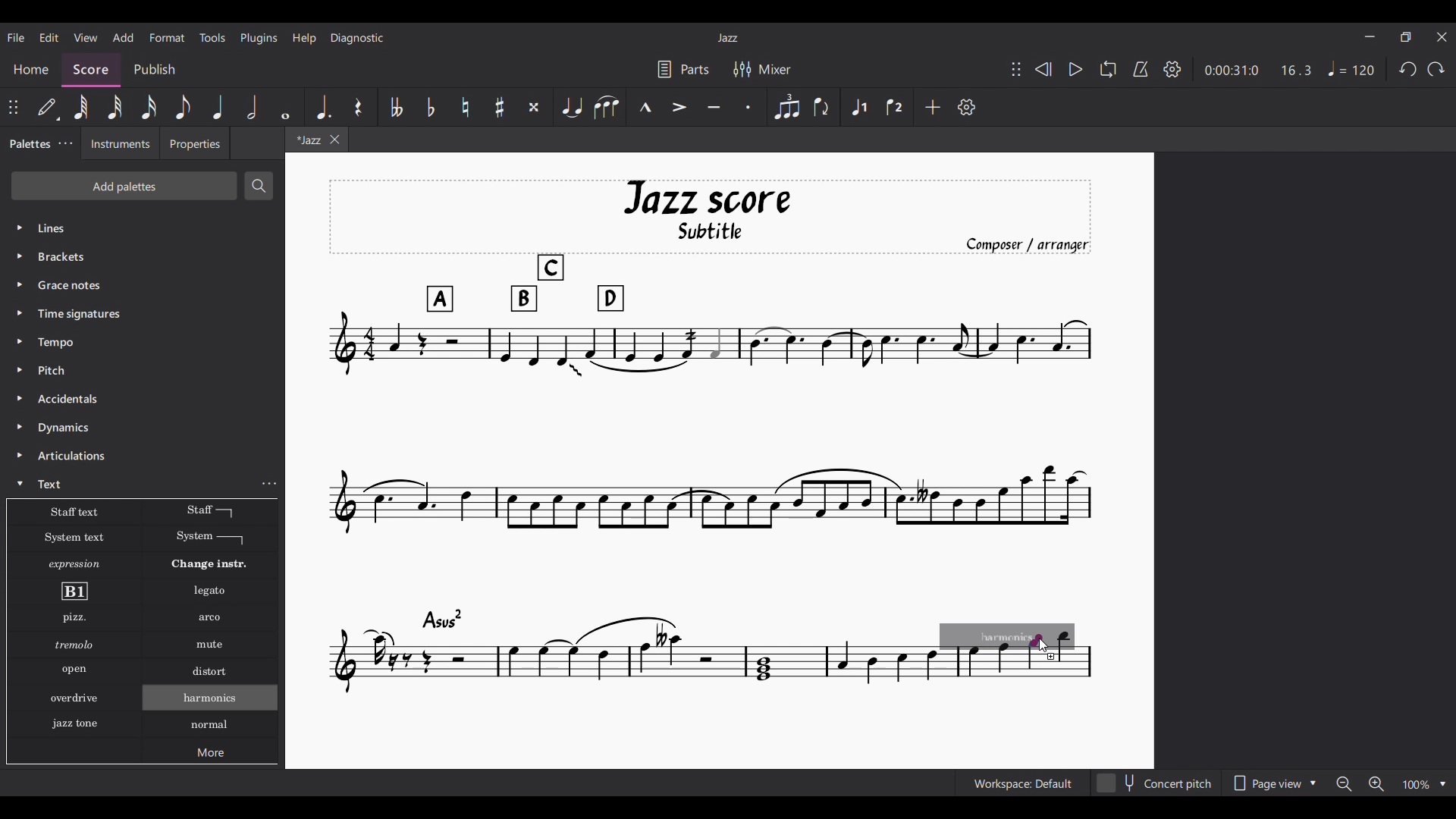 The width and height of the screenshot is (1456, 819). Describe the element at coordinates (1037, 640) in the screenshot. I see `Indicates point of contact` at that location.